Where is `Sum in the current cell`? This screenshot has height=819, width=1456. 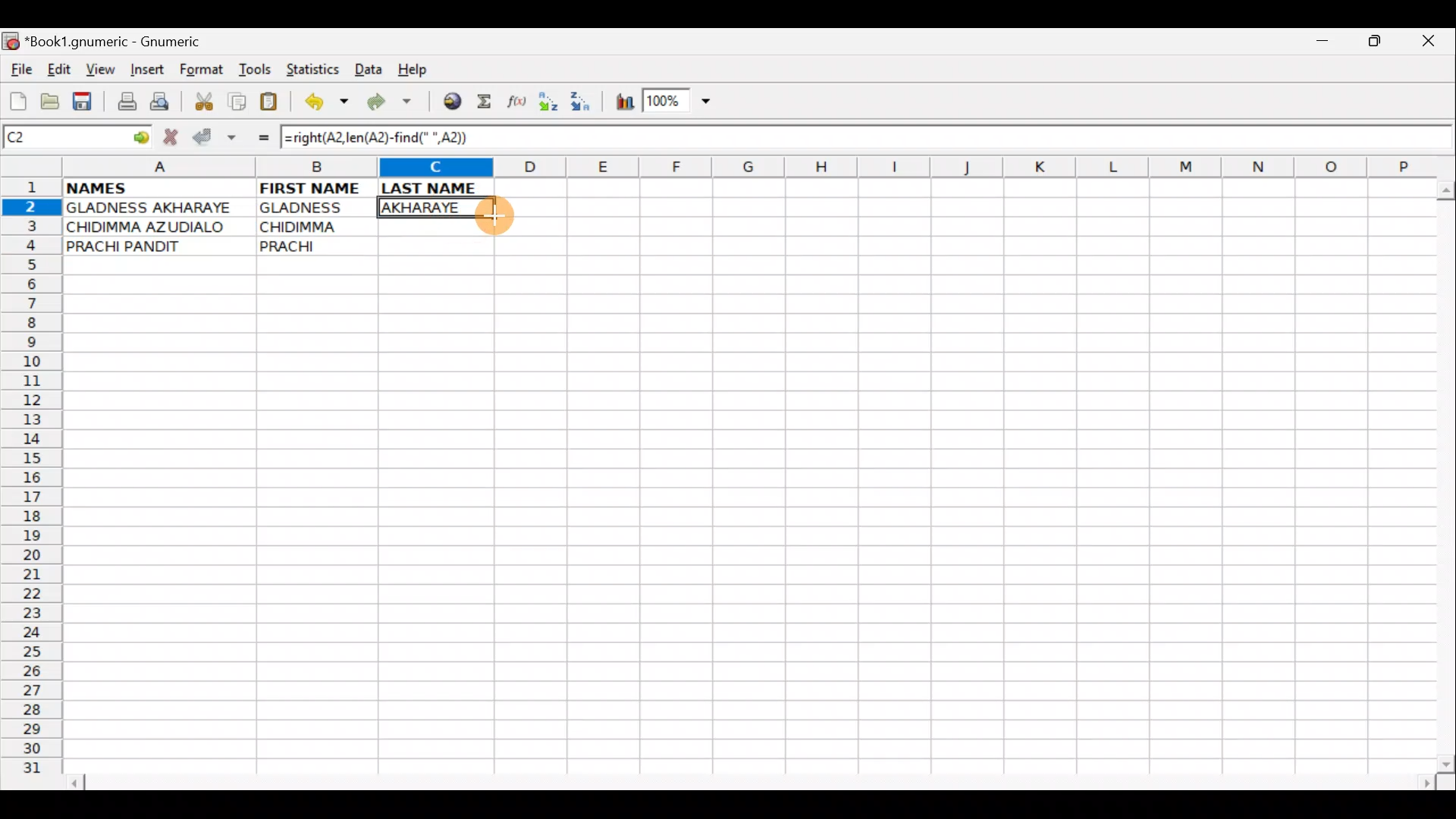
Sum in the current cell is located at coordinates (489, 102).